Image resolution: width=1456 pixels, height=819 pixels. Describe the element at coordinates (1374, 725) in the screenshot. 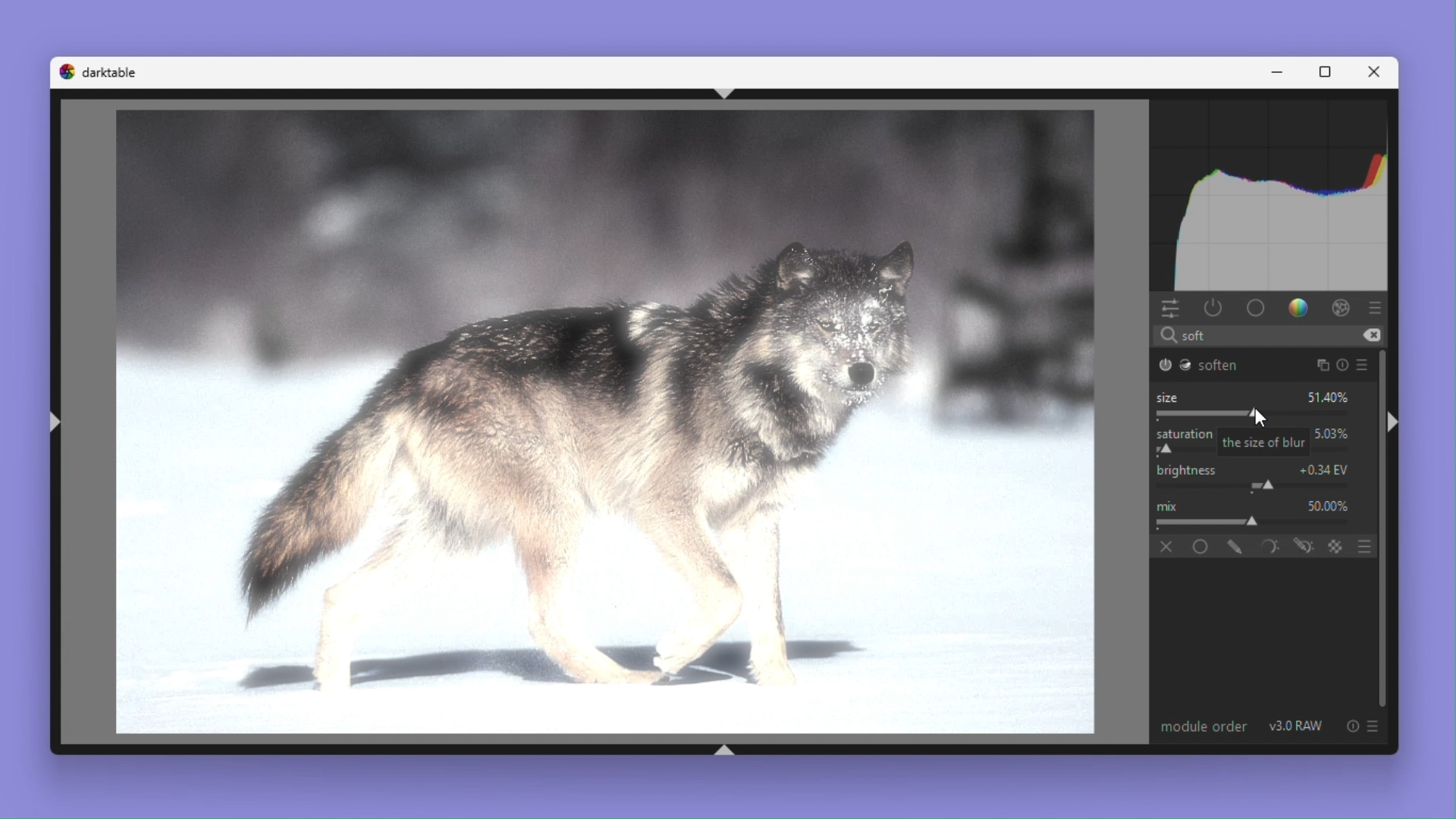

I see `preset ` at that location.